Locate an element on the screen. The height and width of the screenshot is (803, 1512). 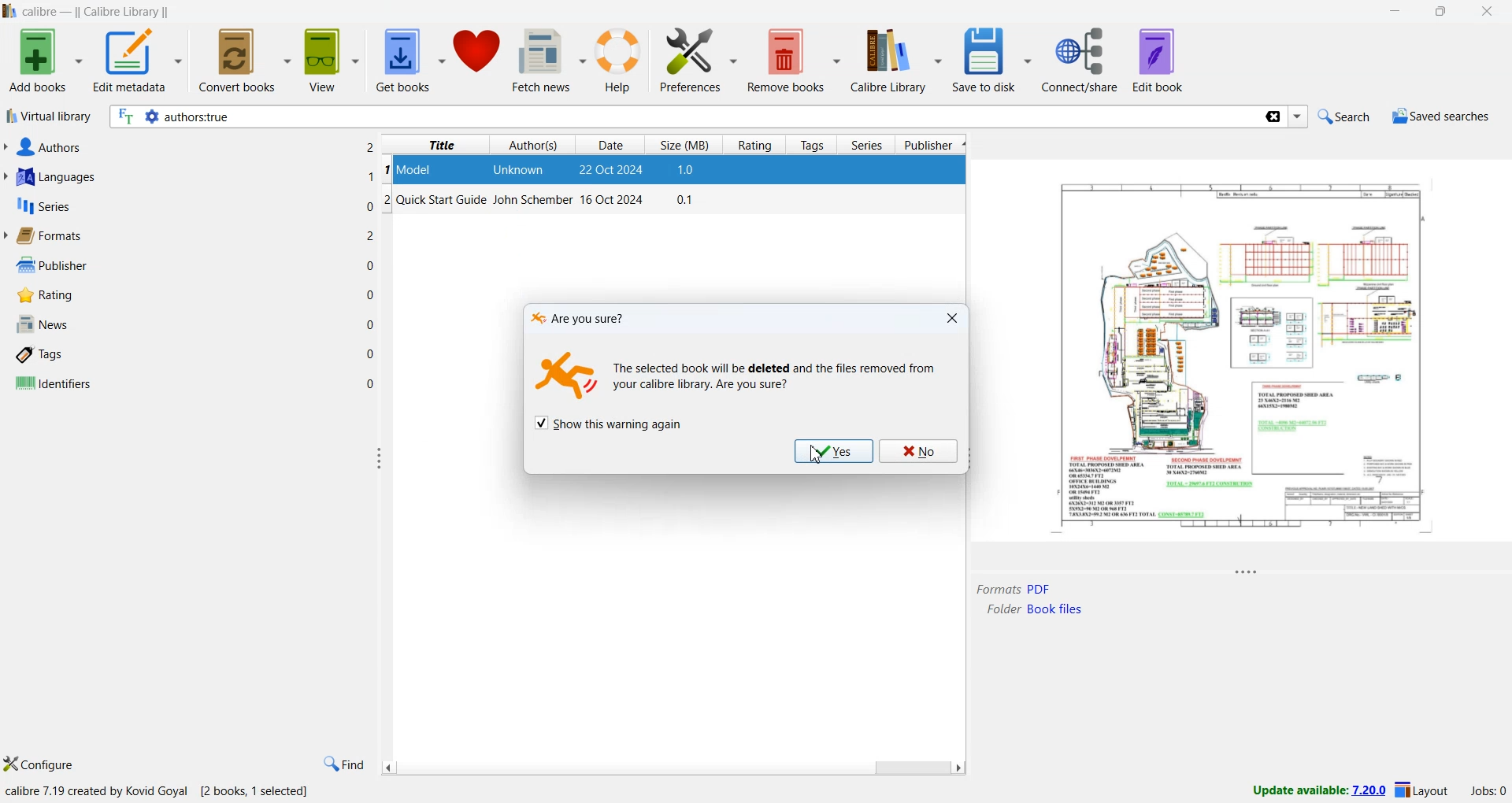
remove books is located at coordinates (795, 61).